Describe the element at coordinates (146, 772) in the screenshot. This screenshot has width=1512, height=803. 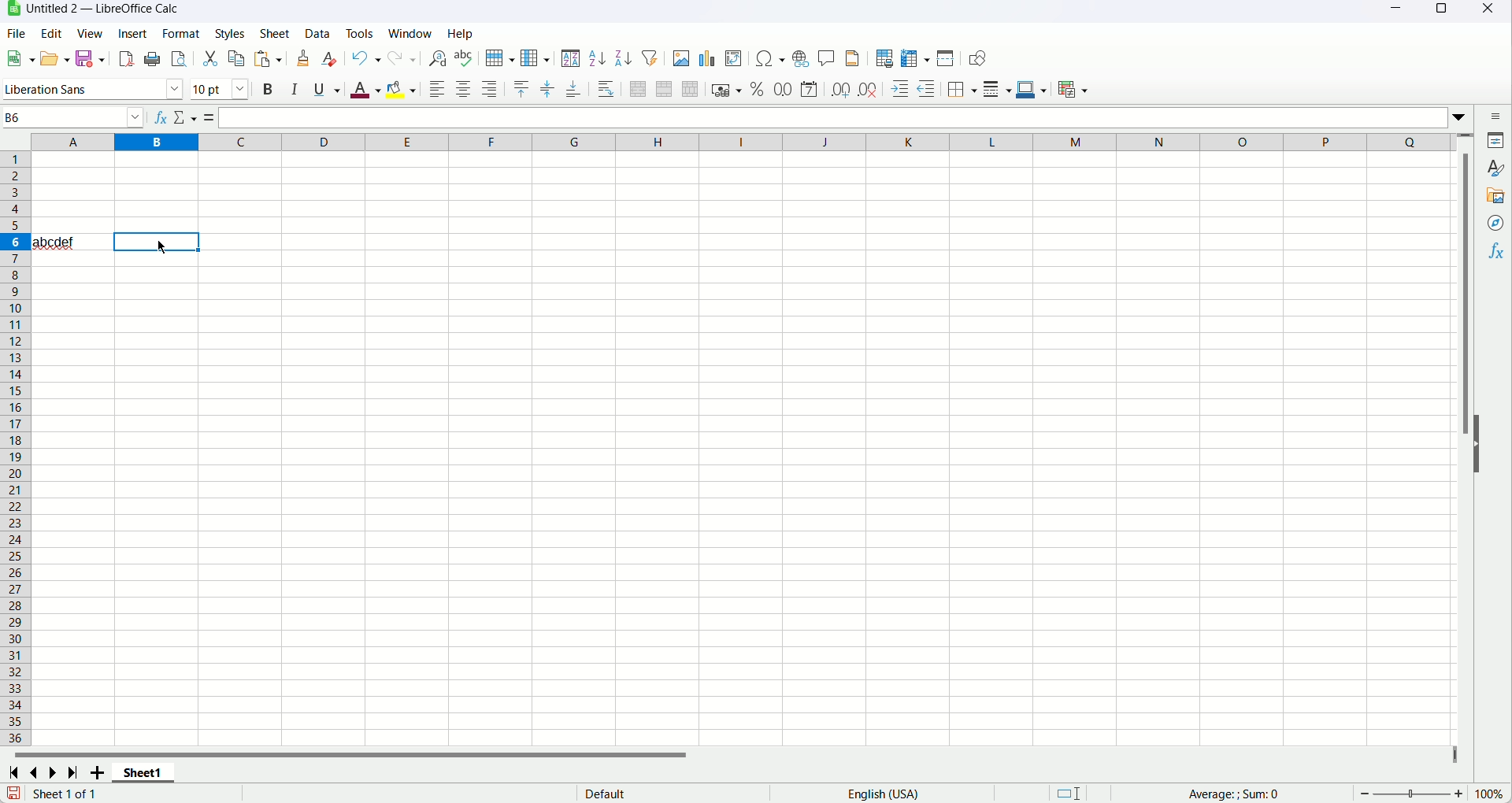
I see `sheet1` at that location.